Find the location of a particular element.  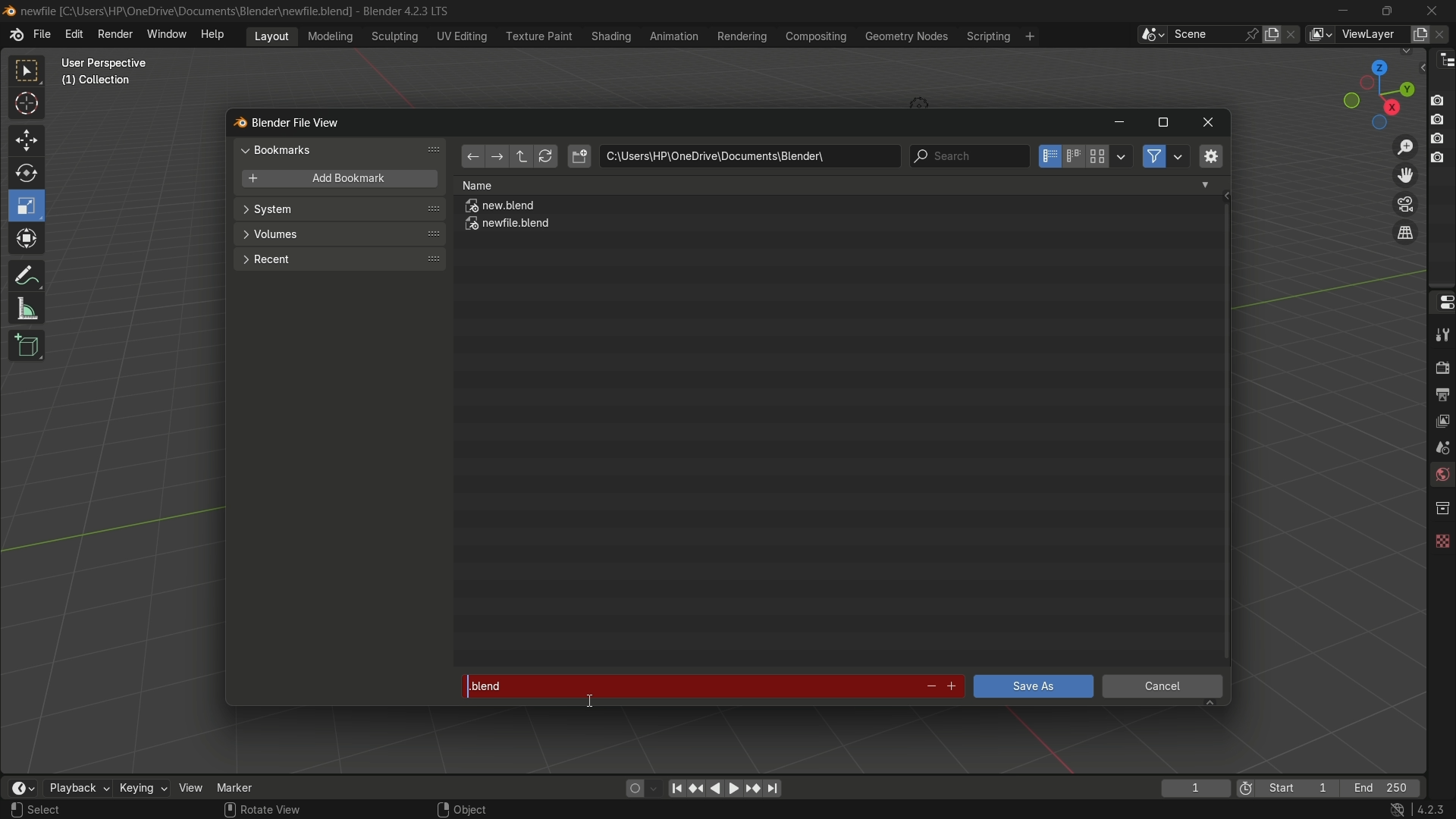

layout menu is located at coordinates (271, 35).